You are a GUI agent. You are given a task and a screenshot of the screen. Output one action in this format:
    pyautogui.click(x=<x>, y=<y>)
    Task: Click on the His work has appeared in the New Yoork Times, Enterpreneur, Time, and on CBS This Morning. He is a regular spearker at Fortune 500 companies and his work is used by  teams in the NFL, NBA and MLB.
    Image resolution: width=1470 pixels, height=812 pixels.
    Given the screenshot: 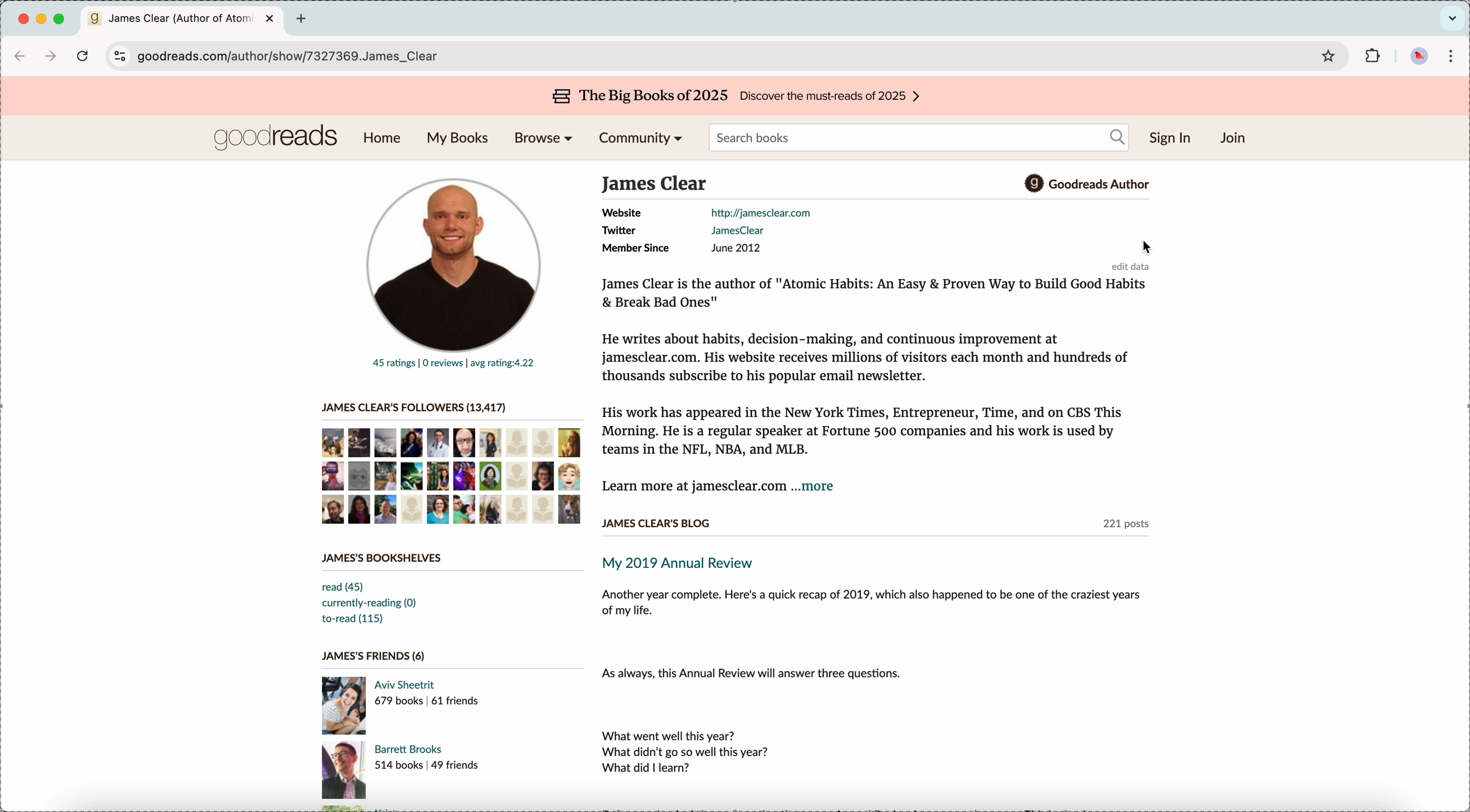 What is the action you would take?
    pyautogui.click(x=862, y=430)
    